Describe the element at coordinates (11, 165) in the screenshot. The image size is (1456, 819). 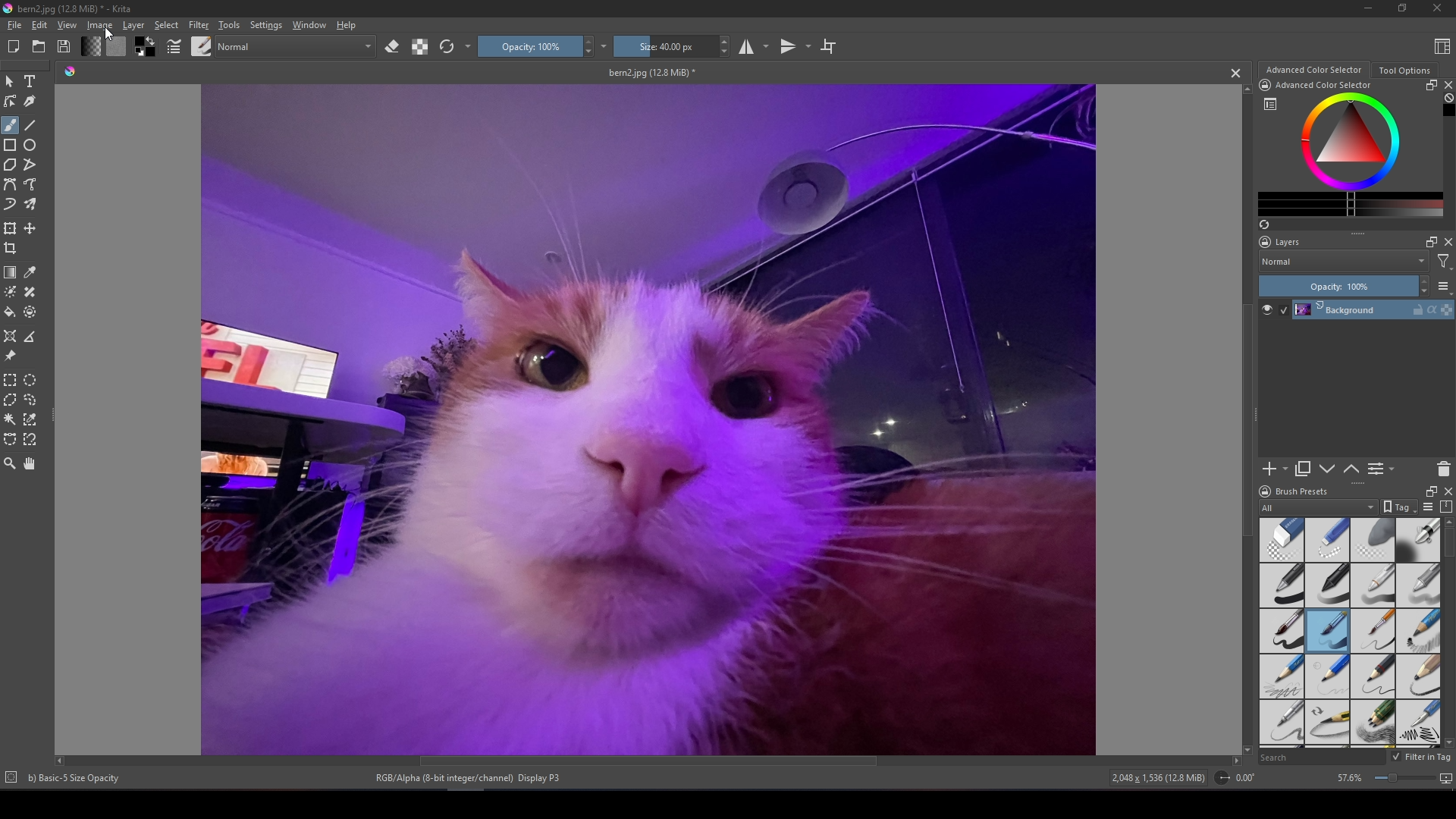
I see `Polygon tool` at that location.